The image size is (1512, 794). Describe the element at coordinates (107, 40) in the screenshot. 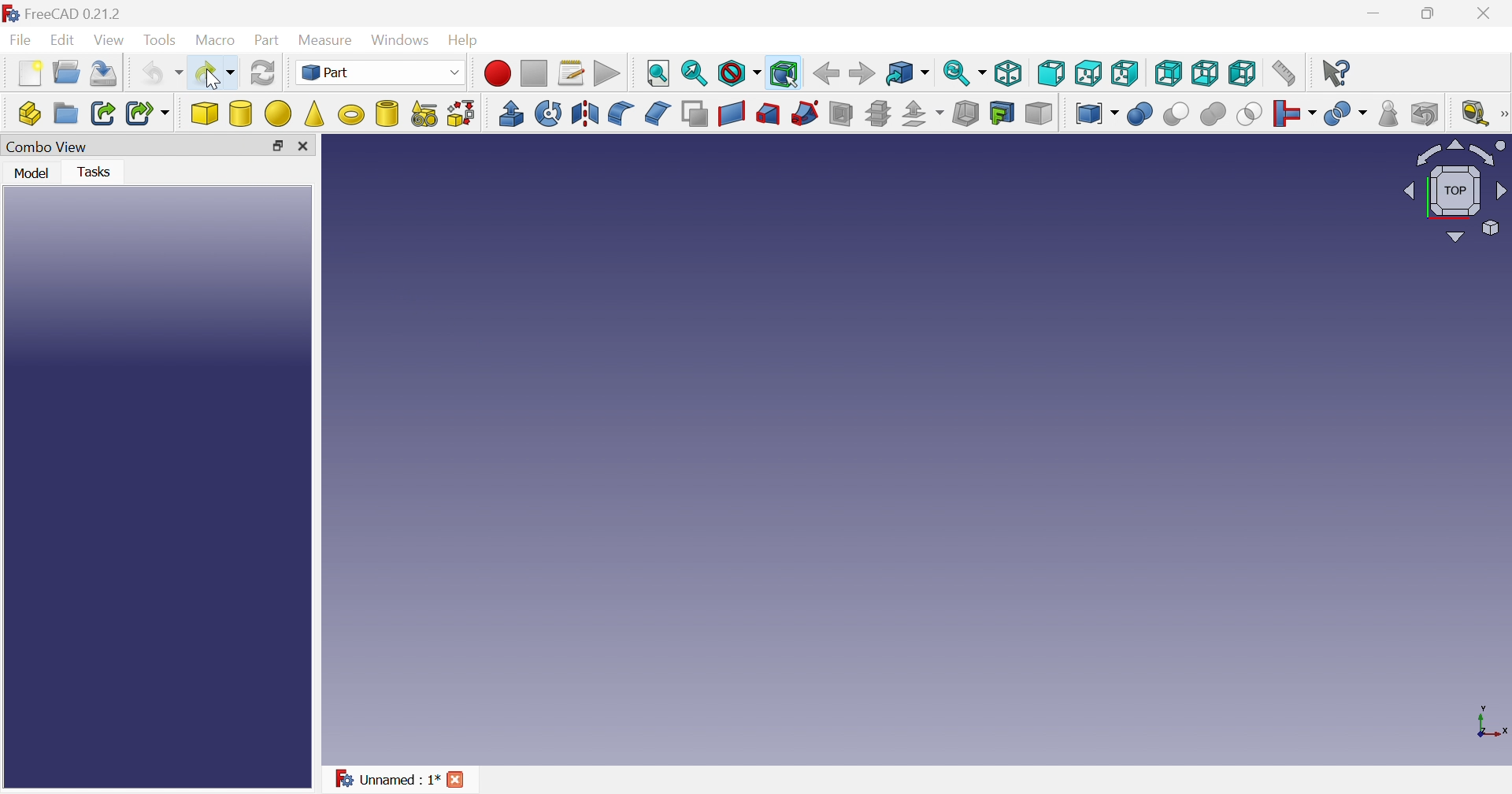

I see `View` at that location.